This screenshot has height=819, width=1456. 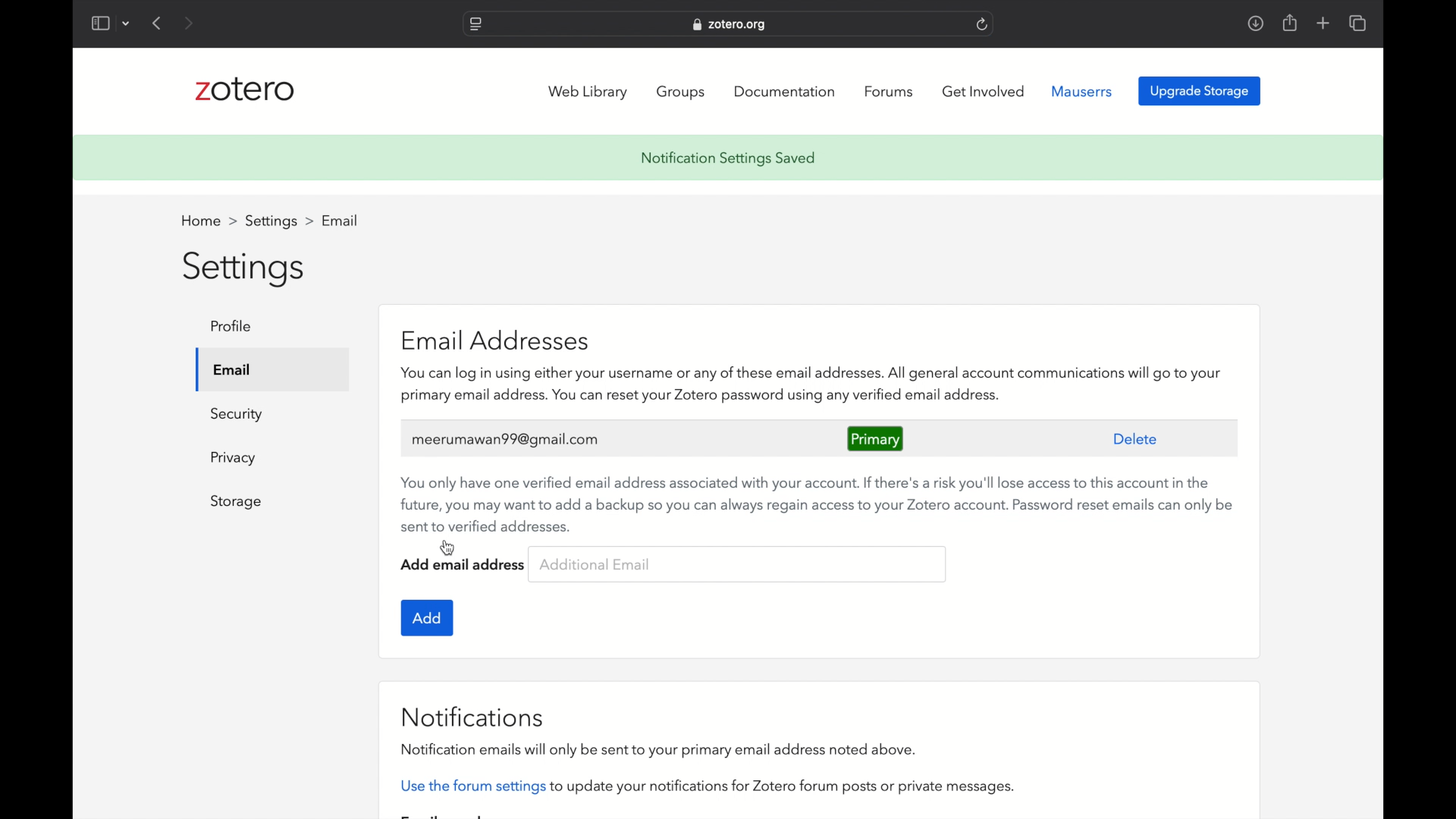 What do you see at coordinates (246, 267) in the screenshot?
I see `settings` at bounding box center [246, 267].